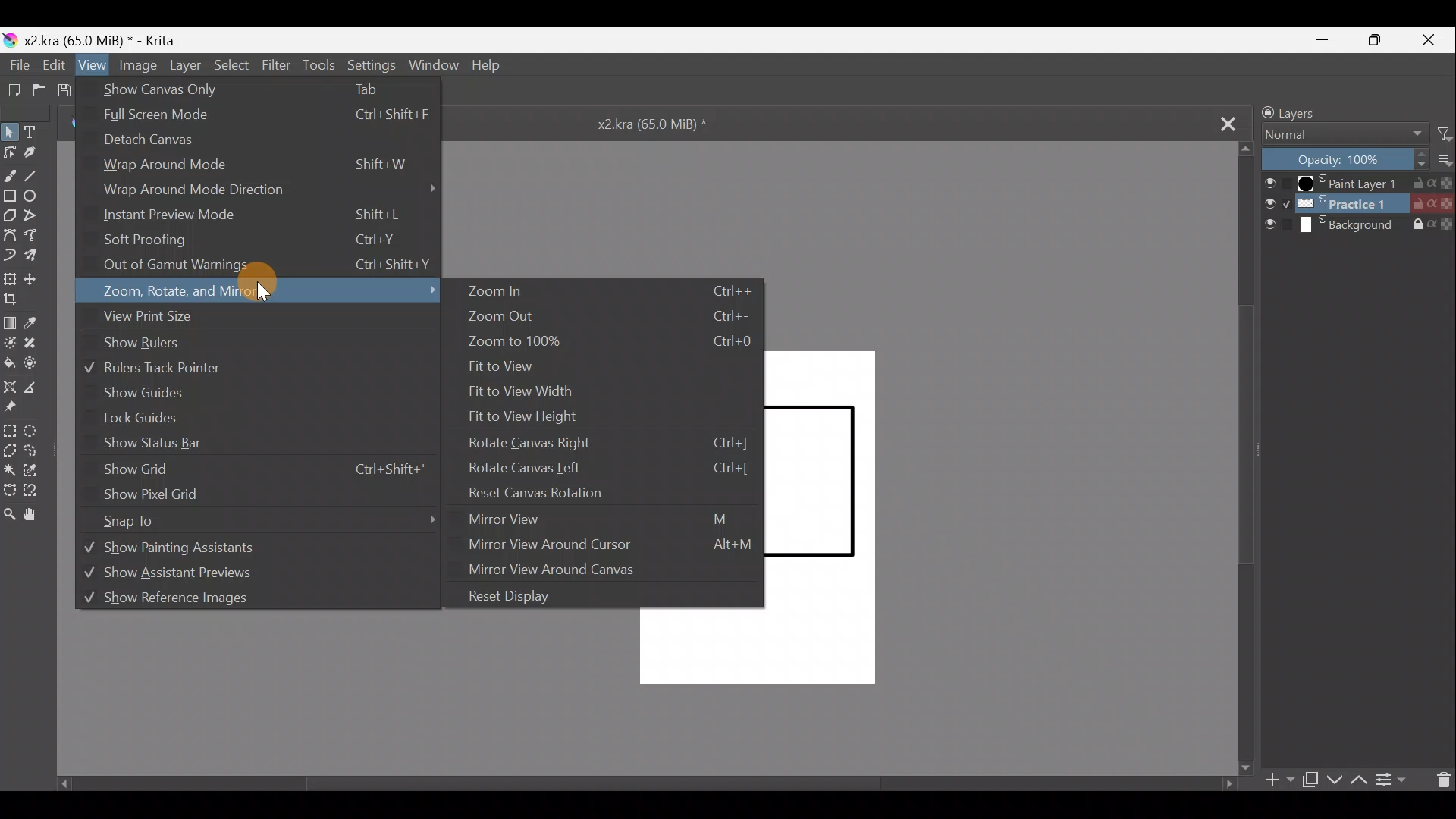 This screenshot has height=819, width=1456. Describe the element at coordinates (1361, 780) in the screenshot. I see `Move layer/mask up` at that location.